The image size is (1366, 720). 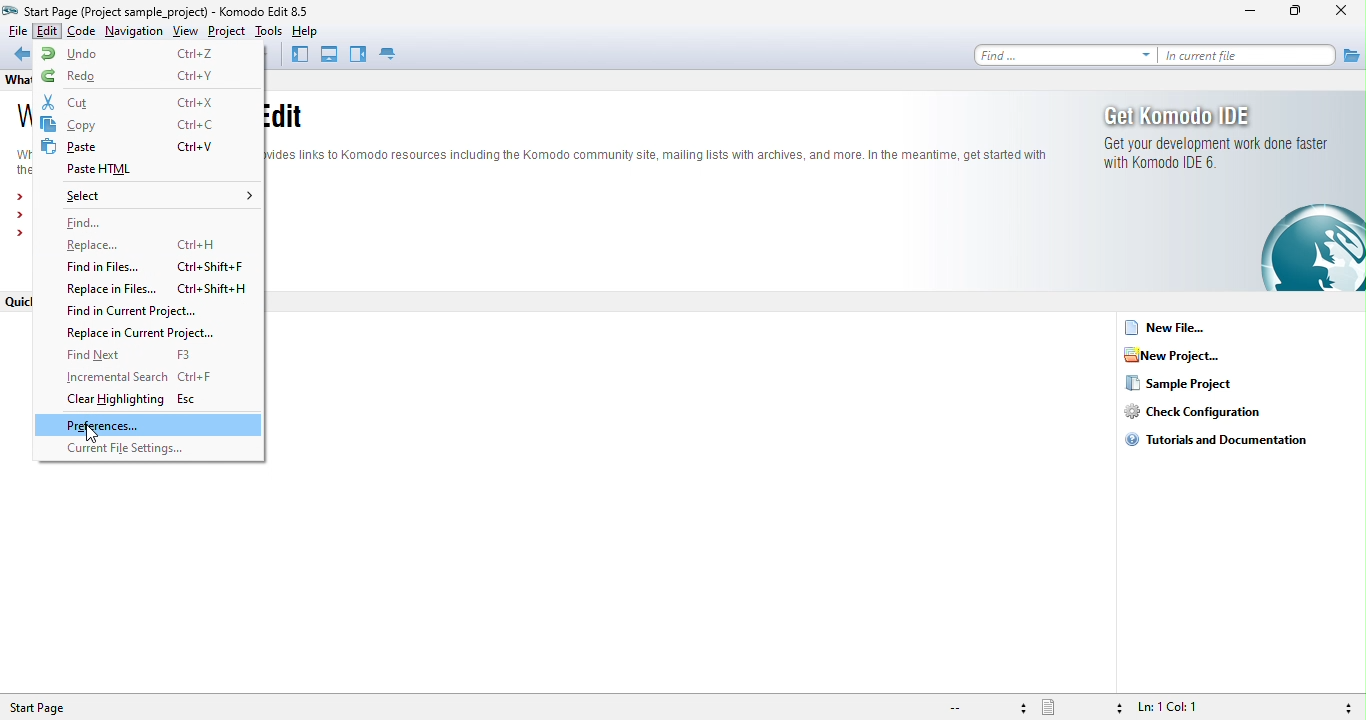 What do you see at coordinates (1189, 707) in the screenshot?
I see `ln 1, col 1` at bounding box center [1189, 707].